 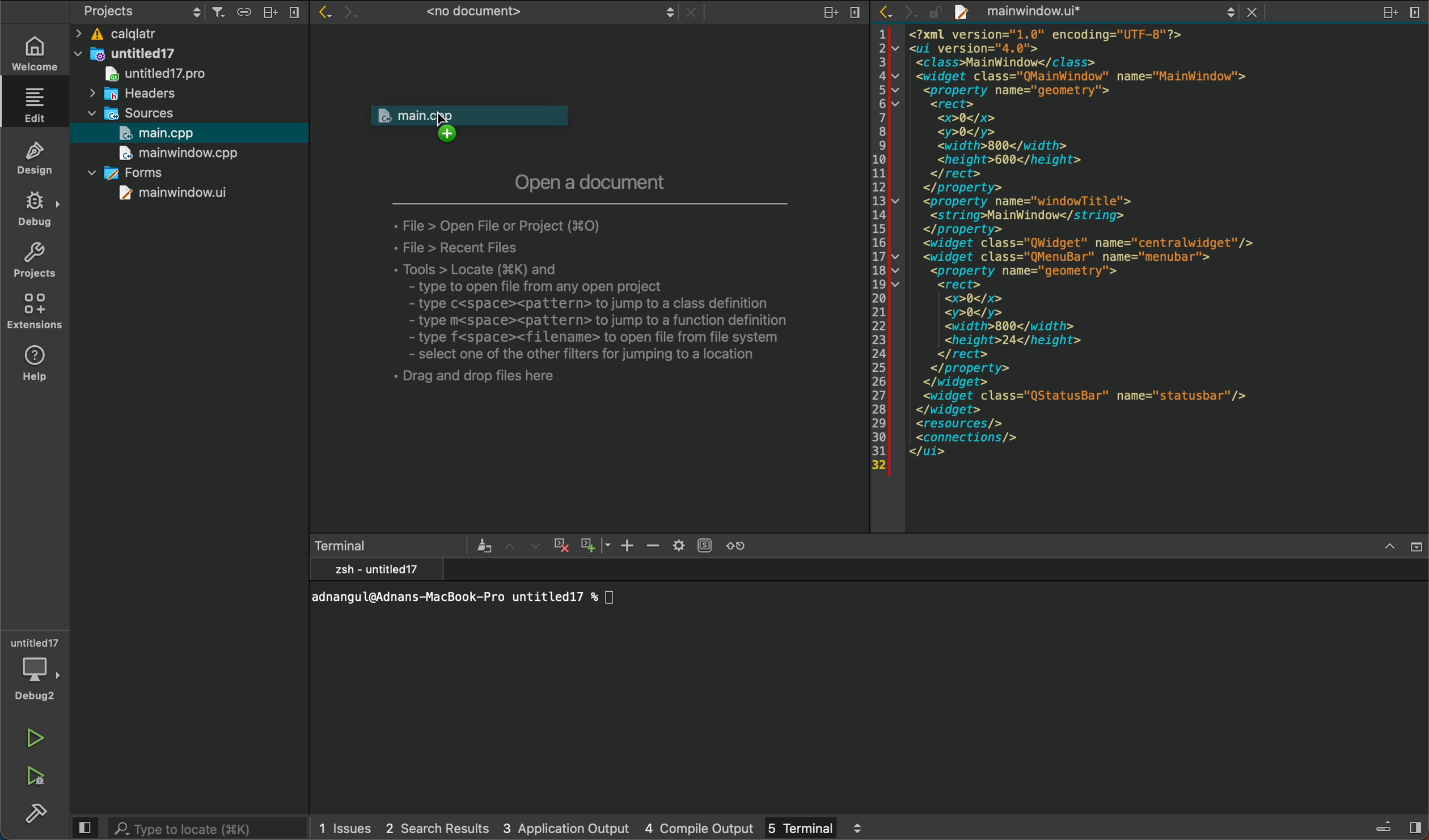 I want to click on split, so click(x=270, y=12).